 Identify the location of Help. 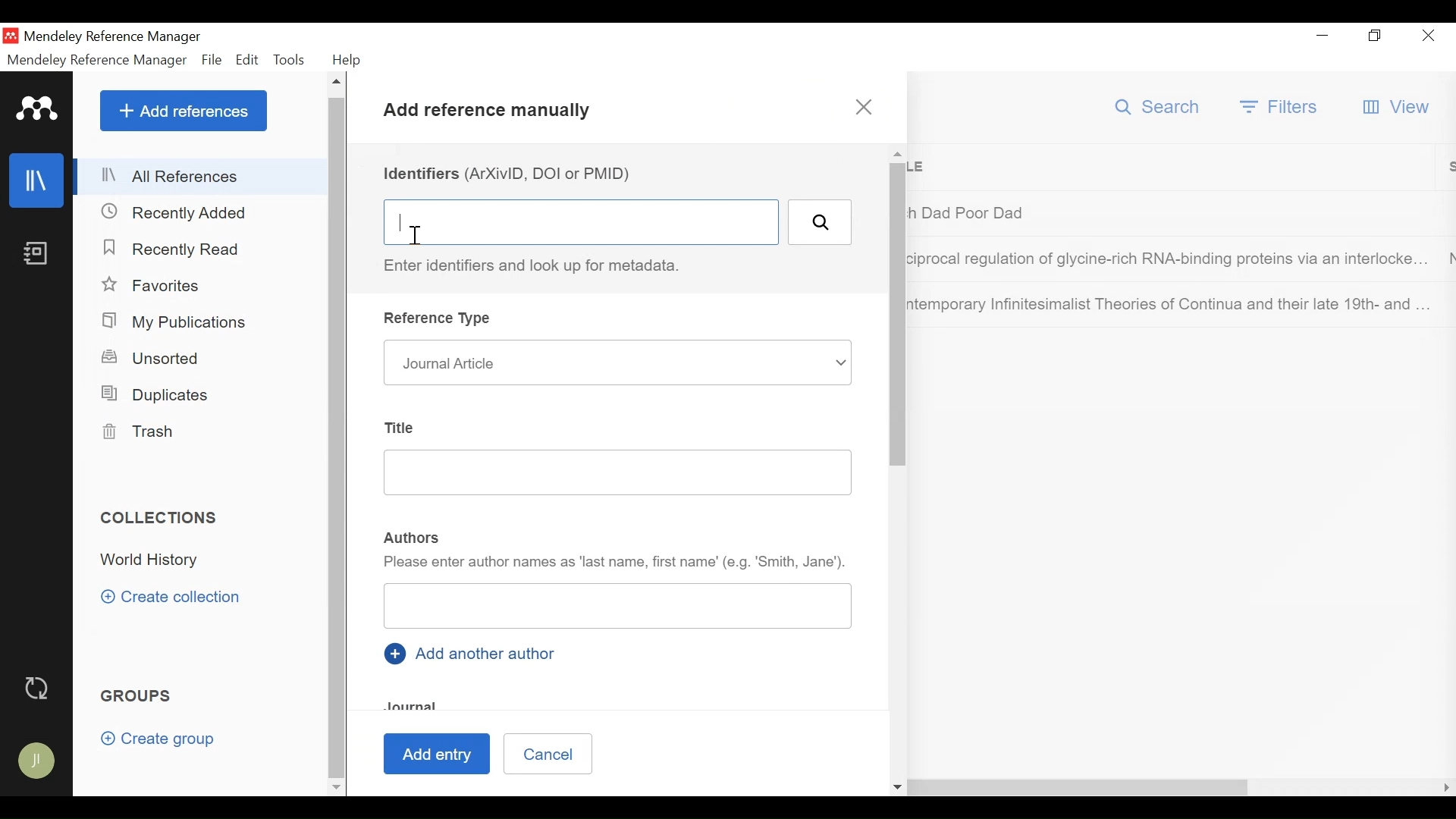
(351, 60).